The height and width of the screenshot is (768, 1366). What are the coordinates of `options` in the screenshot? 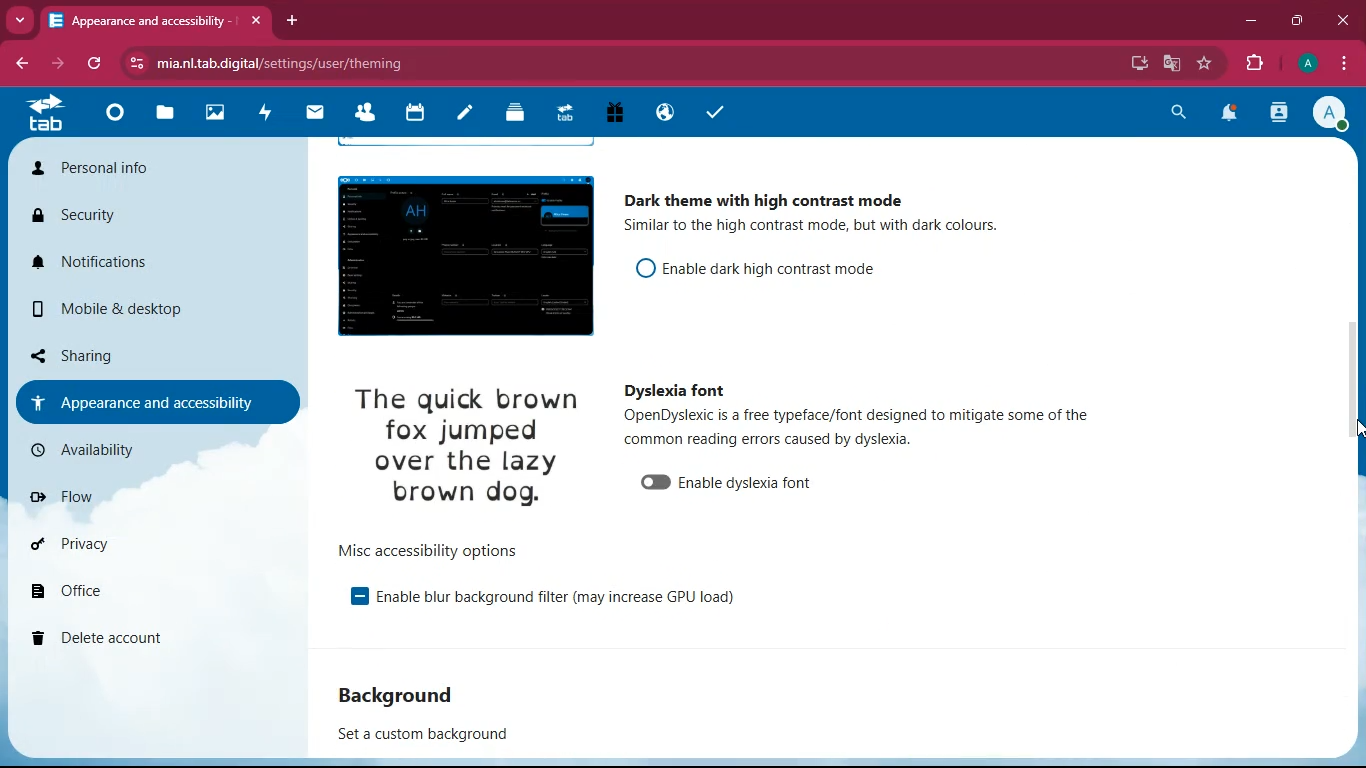 It's located at (430, 550).